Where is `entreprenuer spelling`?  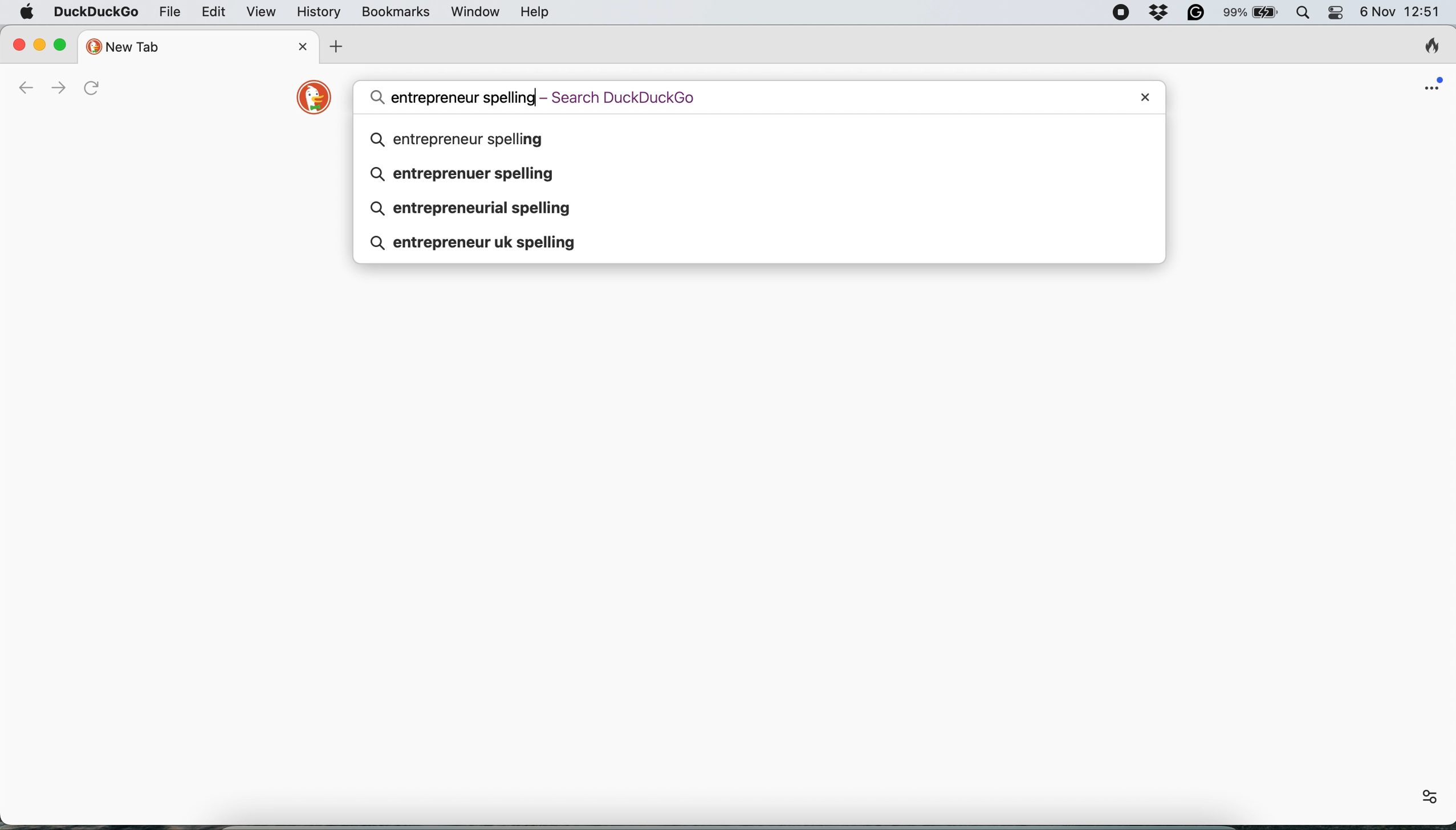
entreprenuer spelling is located at coordinates (457, 174).